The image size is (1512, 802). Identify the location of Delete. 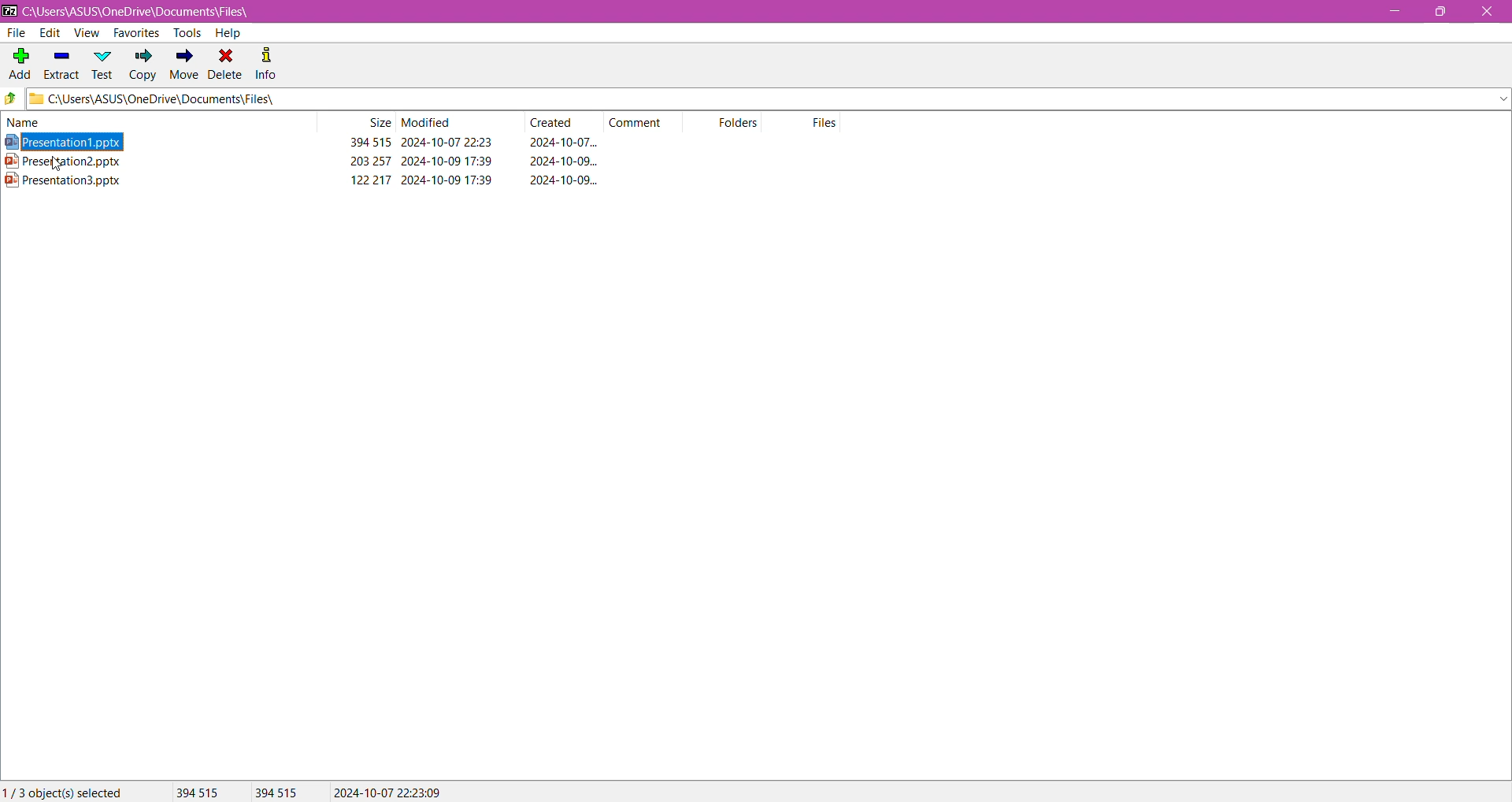
(226, 63).